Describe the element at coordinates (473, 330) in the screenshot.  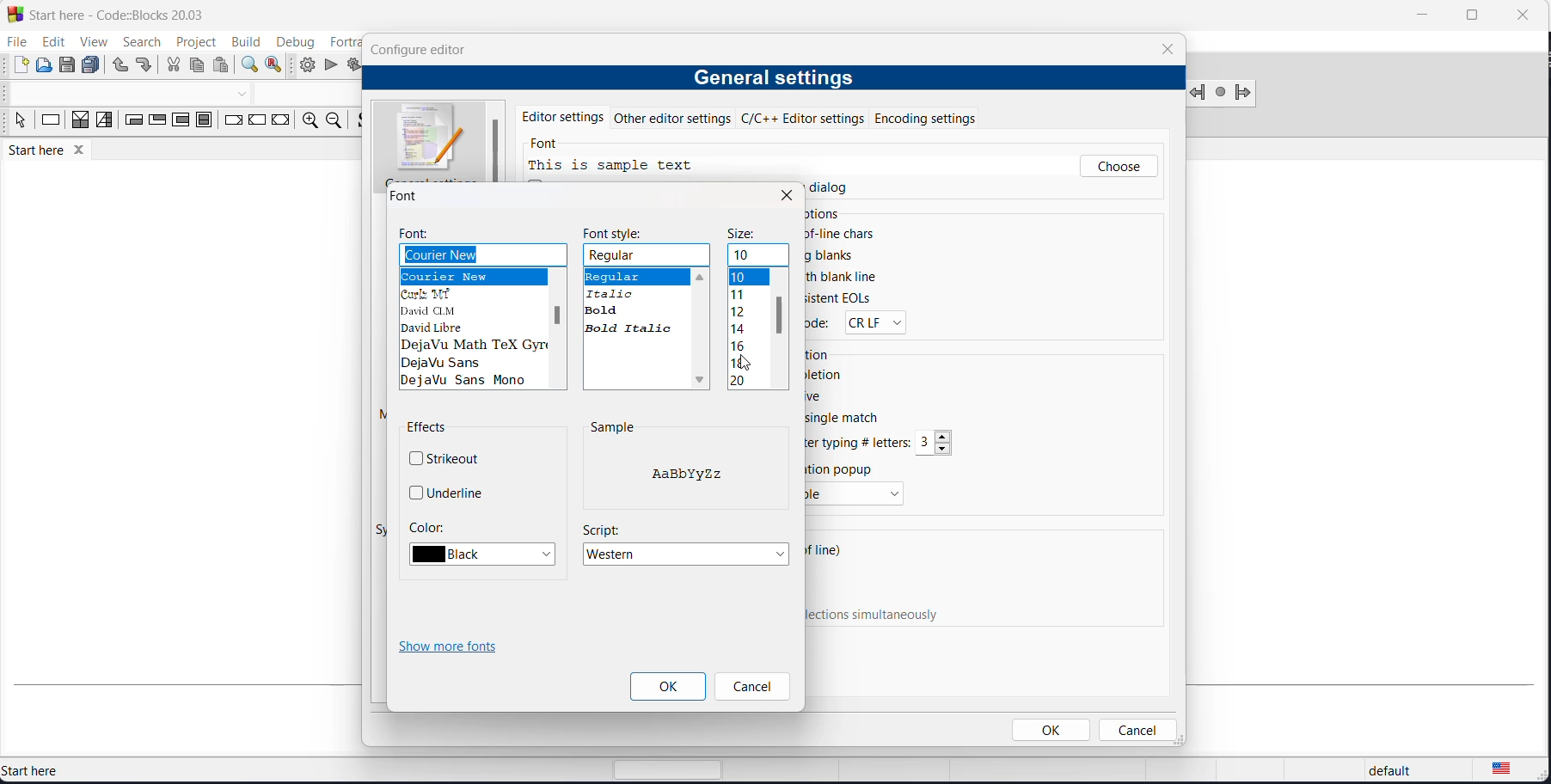
I see `font options` at that location.